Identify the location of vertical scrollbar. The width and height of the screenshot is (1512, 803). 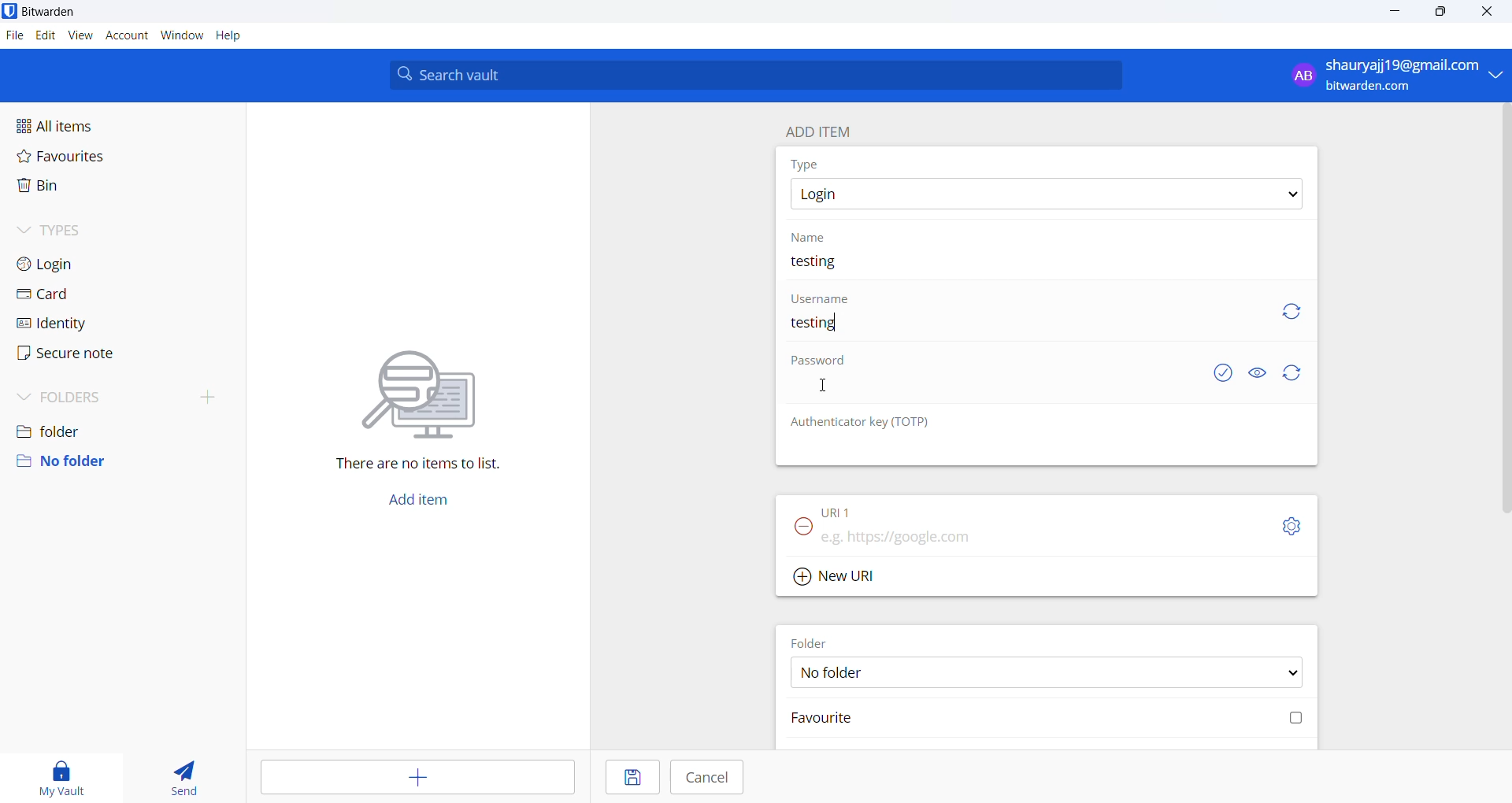
(1503, 309).